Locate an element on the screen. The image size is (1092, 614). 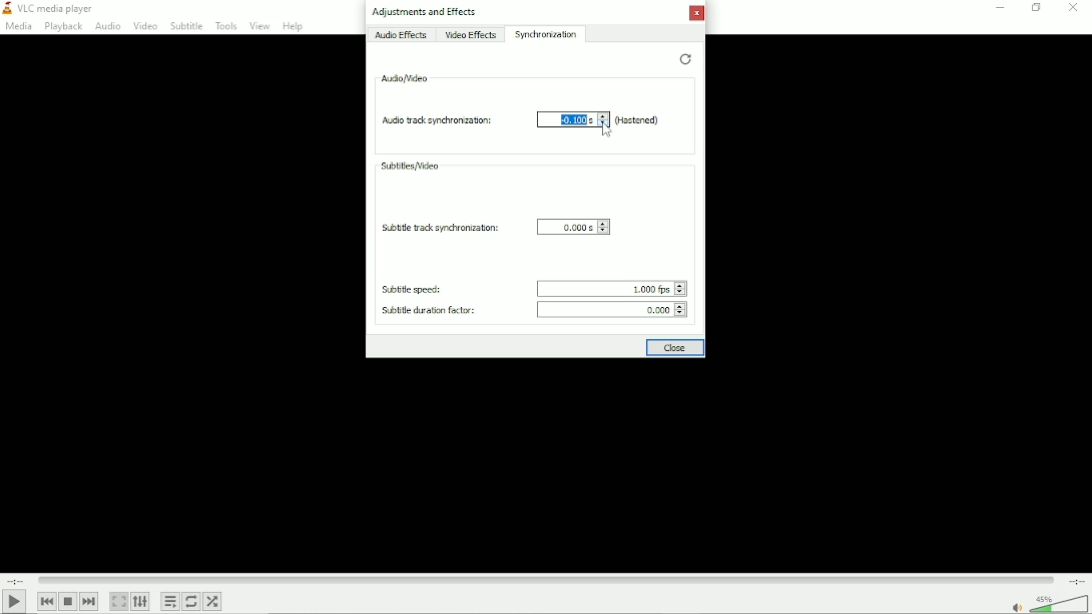
Close is located at coordinates (1074, 12).